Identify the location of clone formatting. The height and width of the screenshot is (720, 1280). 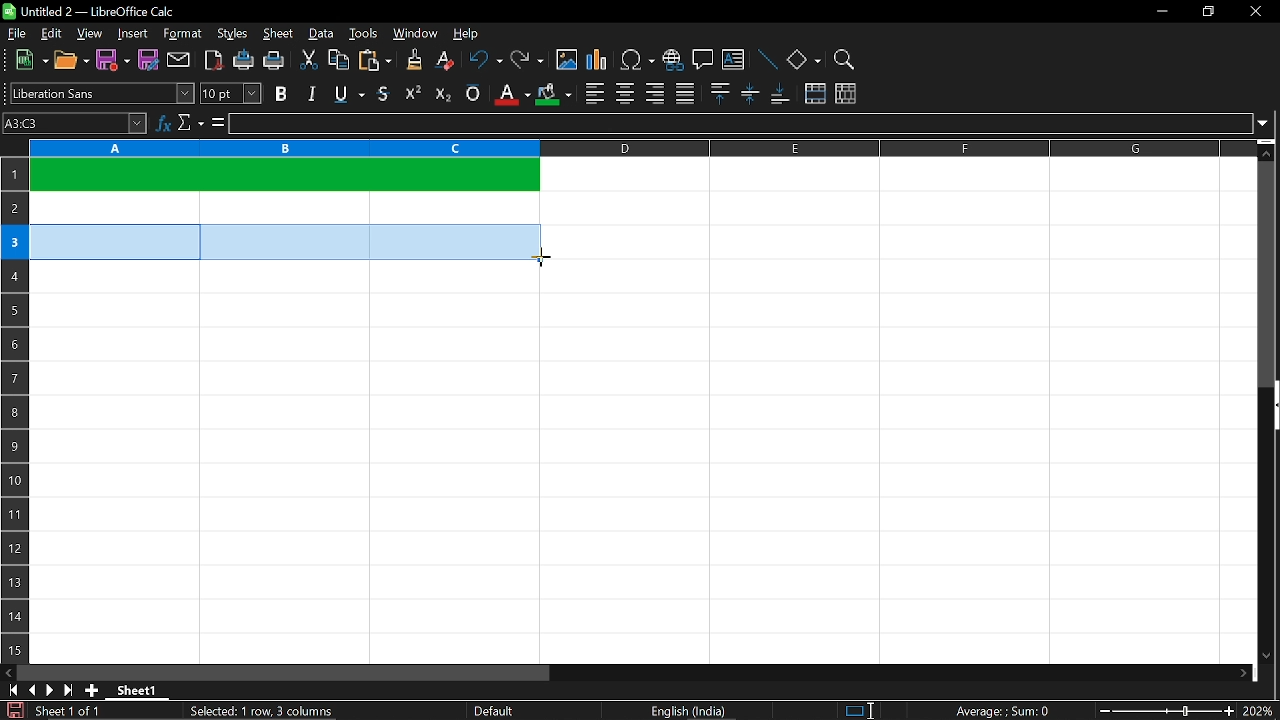
(409, 60).